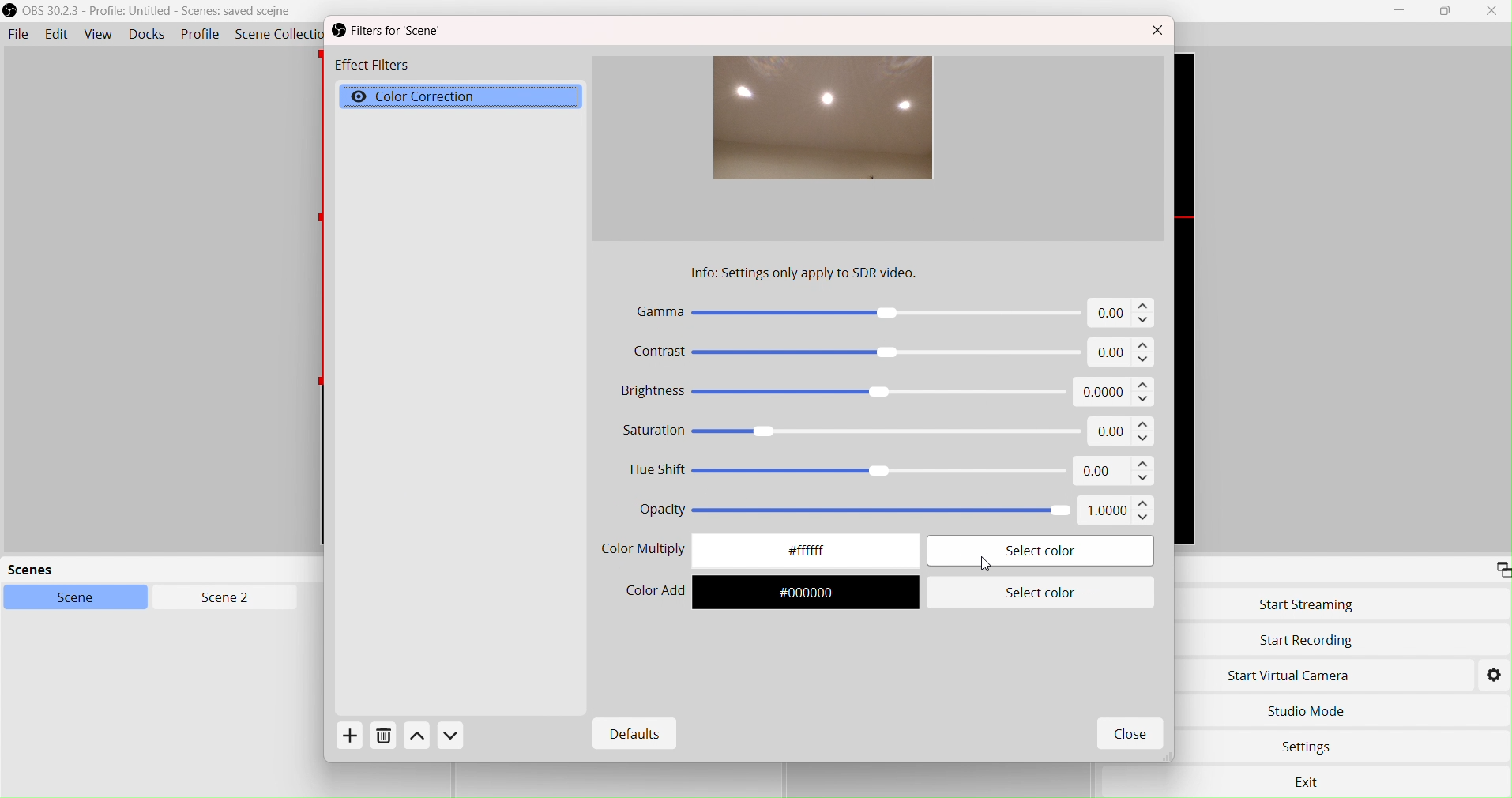 The image size is (1512, 798). What do you see at coordinates (201, 36) in the screenshot?
I see `Profile` at bounding box center [201, 36].